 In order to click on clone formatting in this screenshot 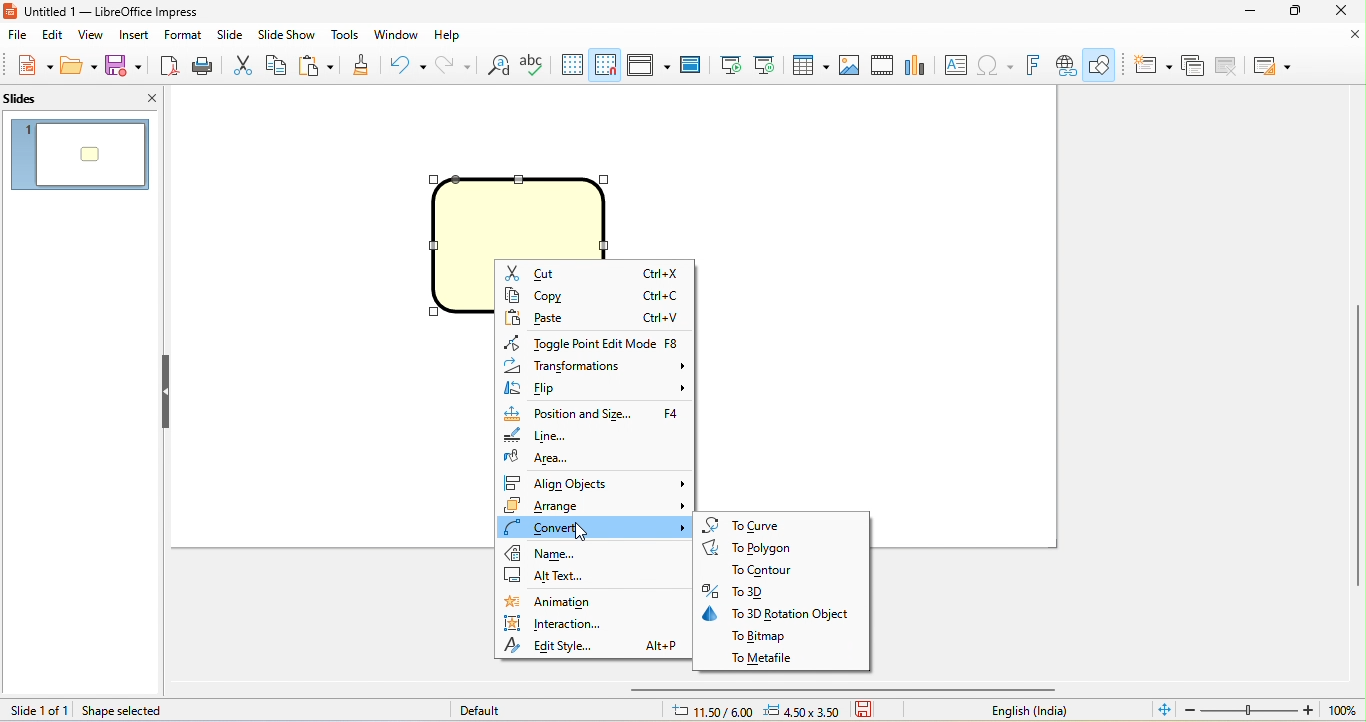, I will do `click(362, 64)`.